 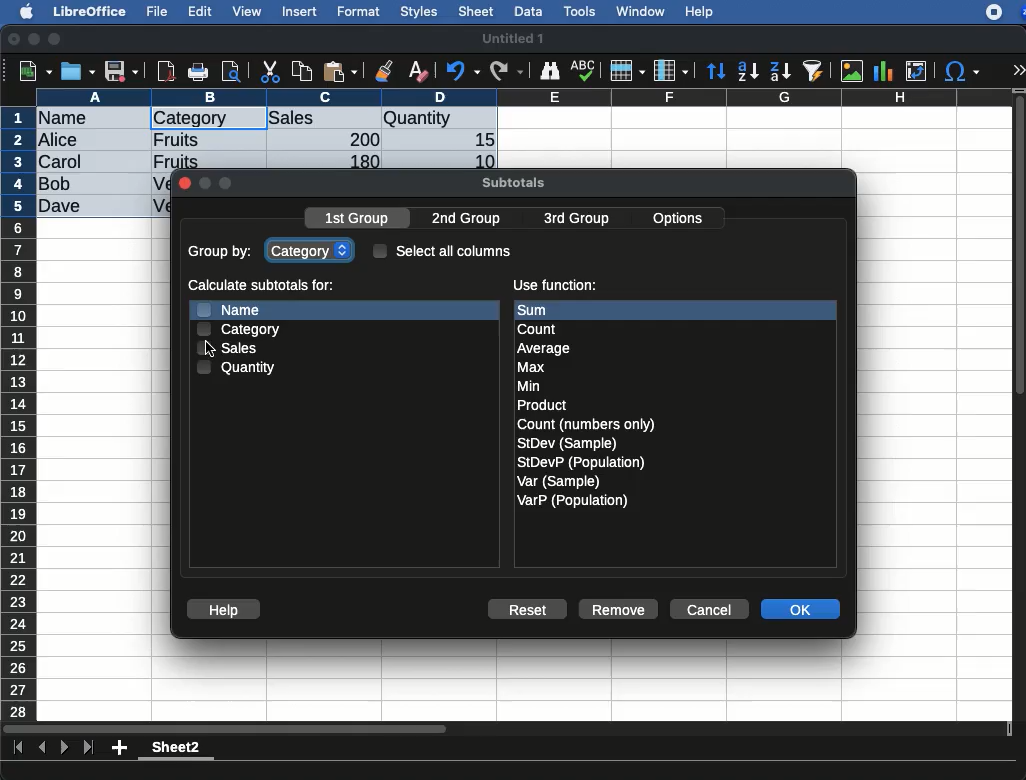 I want to click on row, so click(x=20, y=413).